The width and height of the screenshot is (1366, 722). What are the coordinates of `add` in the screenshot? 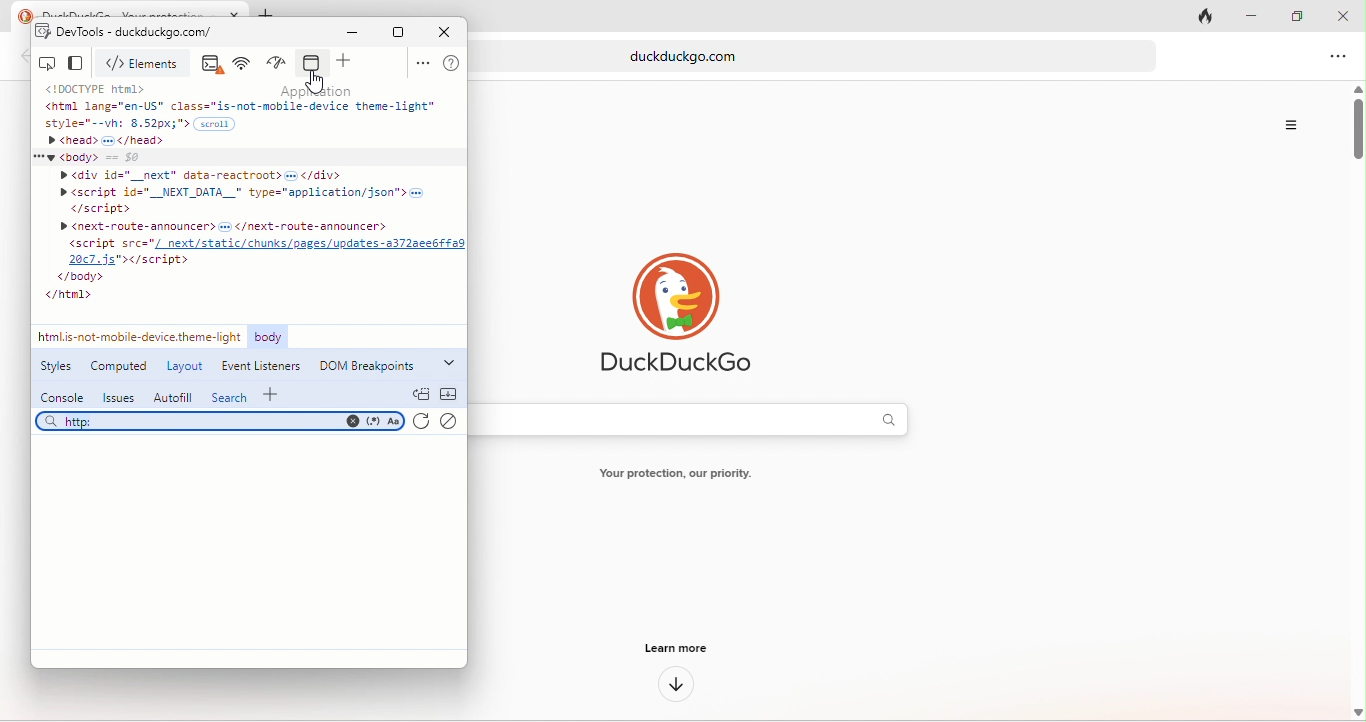 It's located at (352, 63).